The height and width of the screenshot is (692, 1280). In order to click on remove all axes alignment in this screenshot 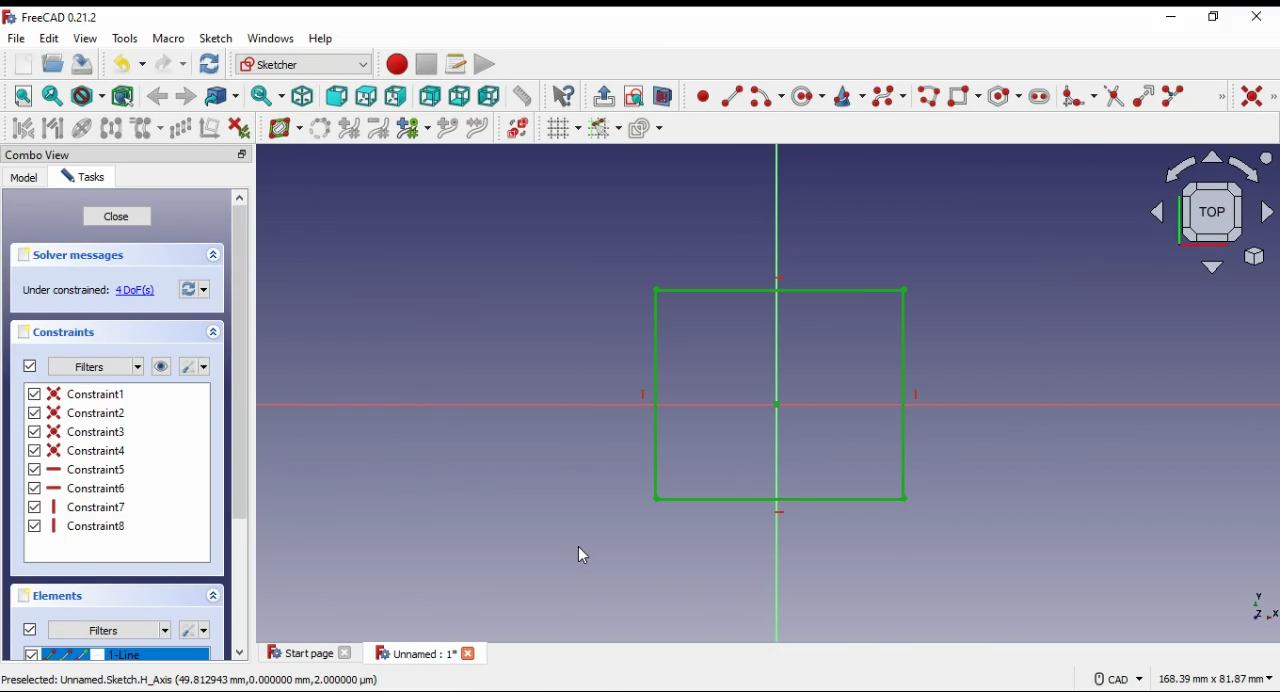, I will do `click(210, 127)`.